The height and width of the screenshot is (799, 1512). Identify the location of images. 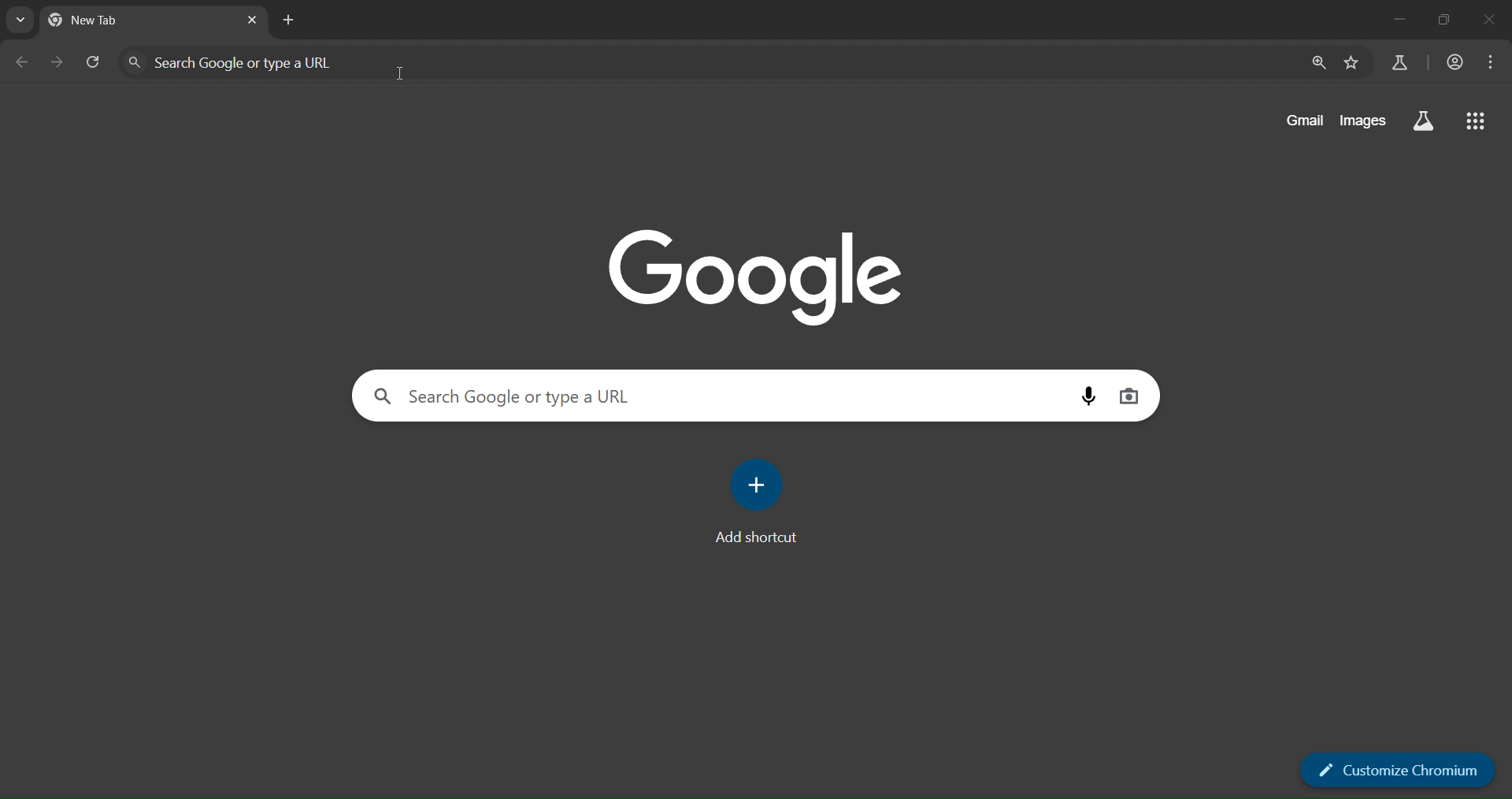
(1363, 122).